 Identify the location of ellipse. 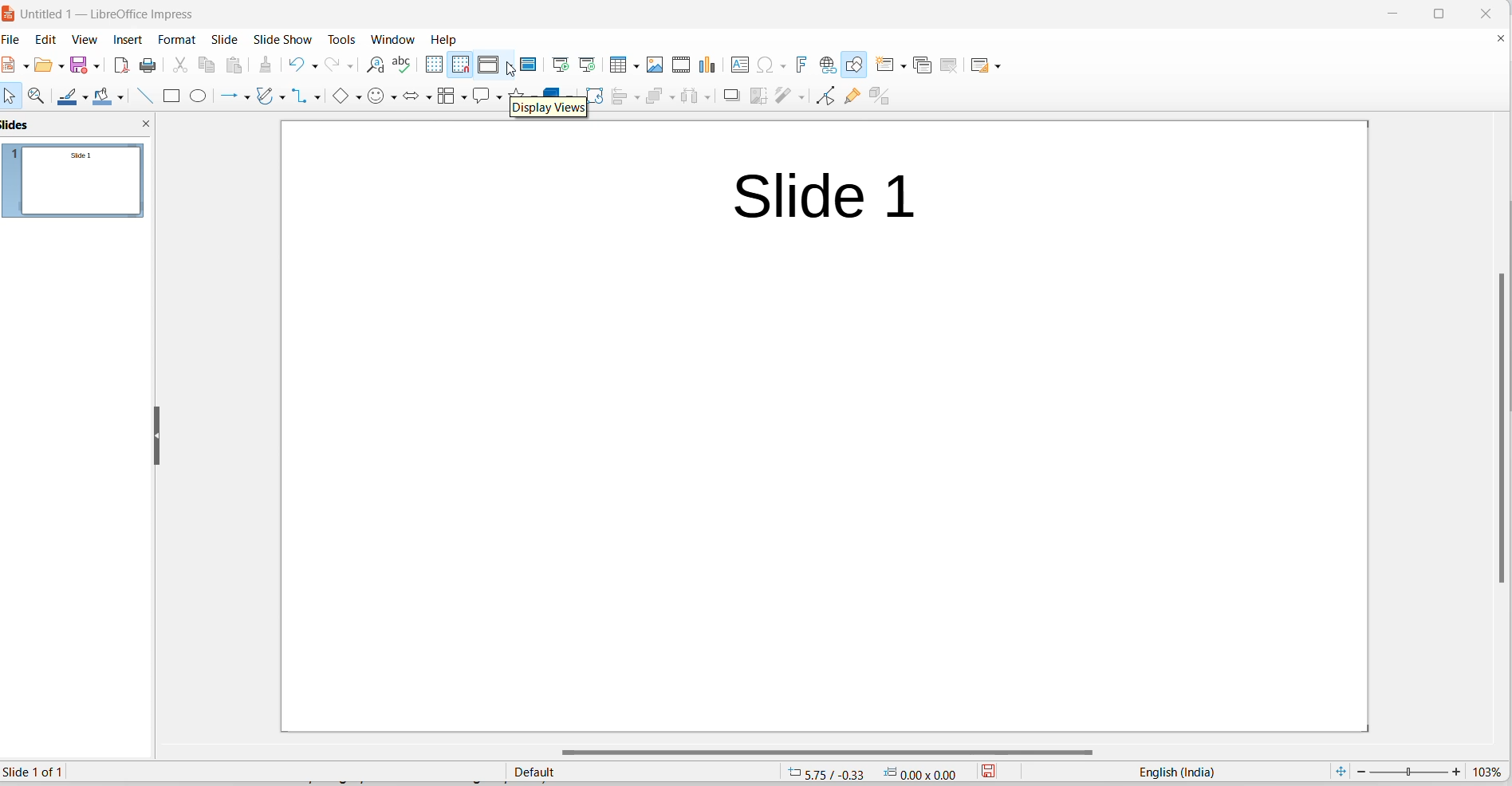
(199, 96).